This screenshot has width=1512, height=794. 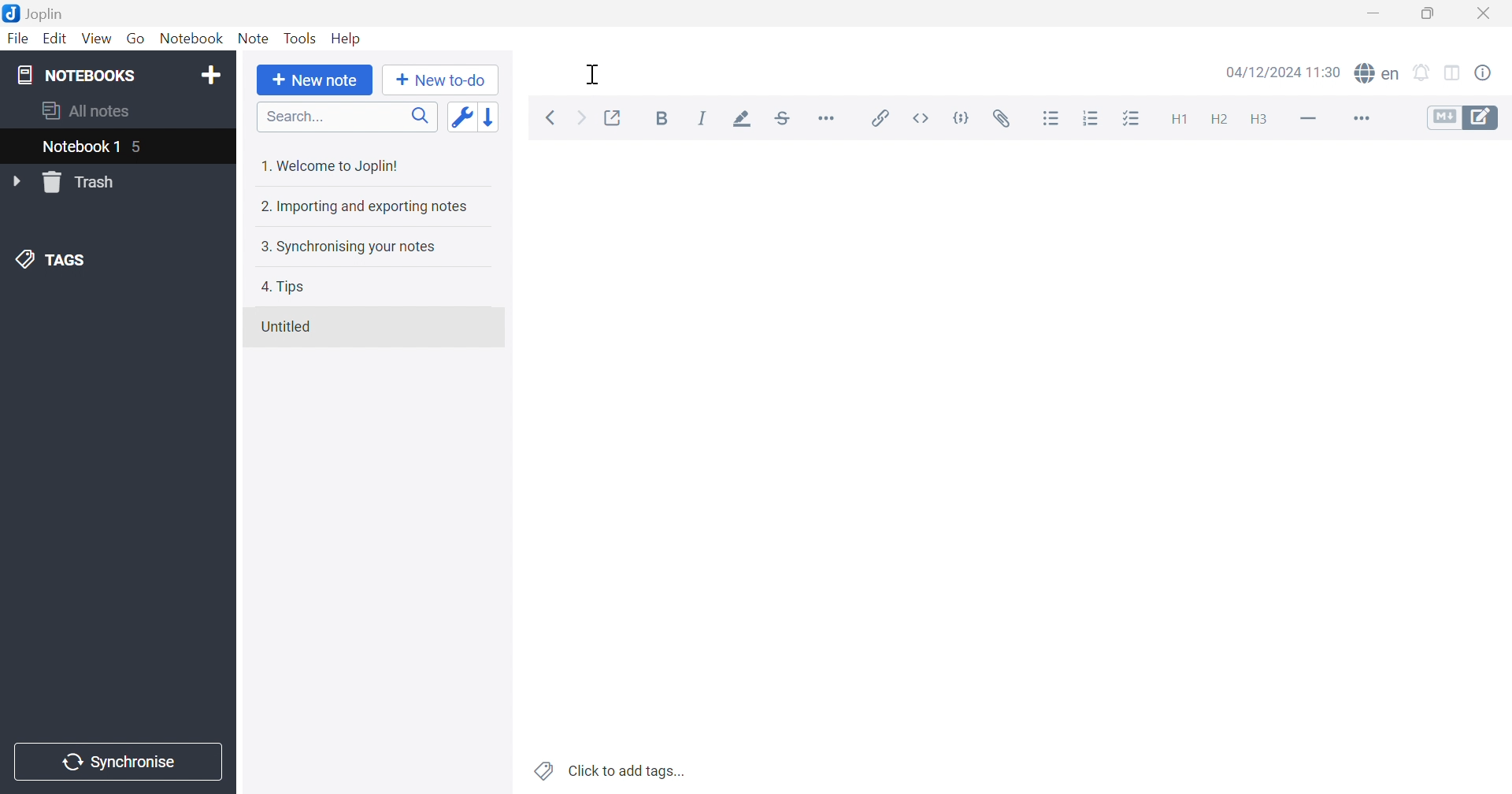 What do you see at coordinates (706, 118) in the screenshot?
I see `Italic` at bounding box center [706, 118].